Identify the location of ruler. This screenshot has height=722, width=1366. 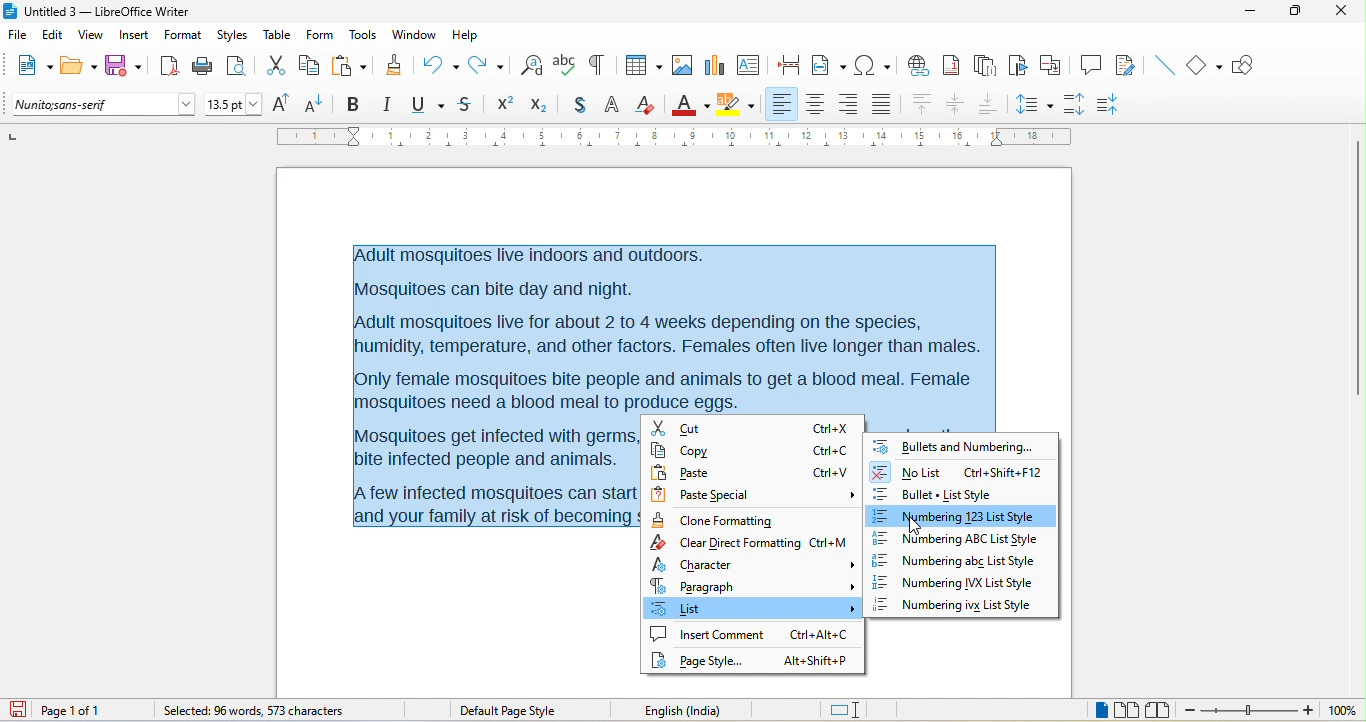
(673, 137).